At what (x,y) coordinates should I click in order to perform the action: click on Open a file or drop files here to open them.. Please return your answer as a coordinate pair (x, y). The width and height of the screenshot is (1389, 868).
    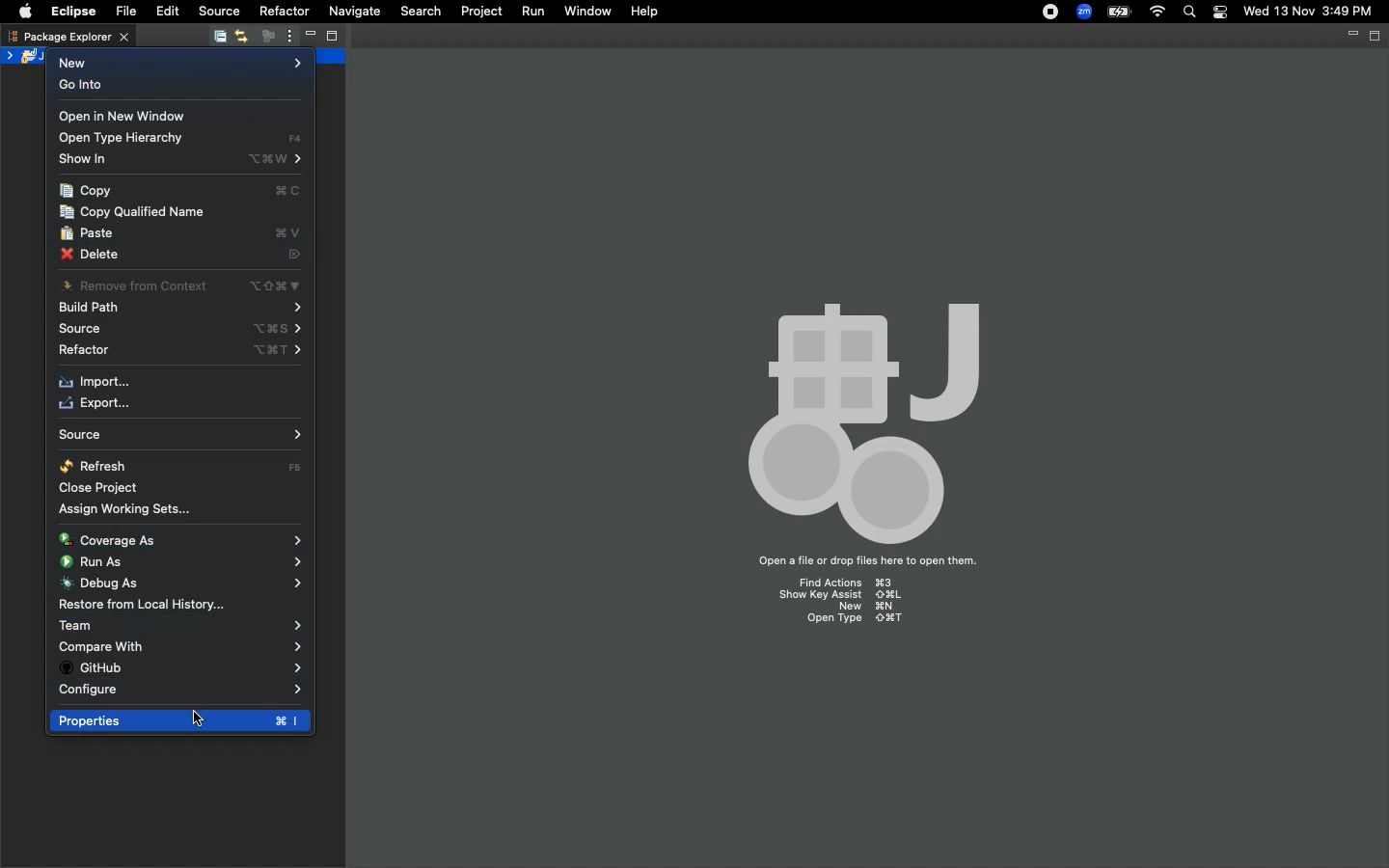
    Looking at the image, I should click on (871, 560).